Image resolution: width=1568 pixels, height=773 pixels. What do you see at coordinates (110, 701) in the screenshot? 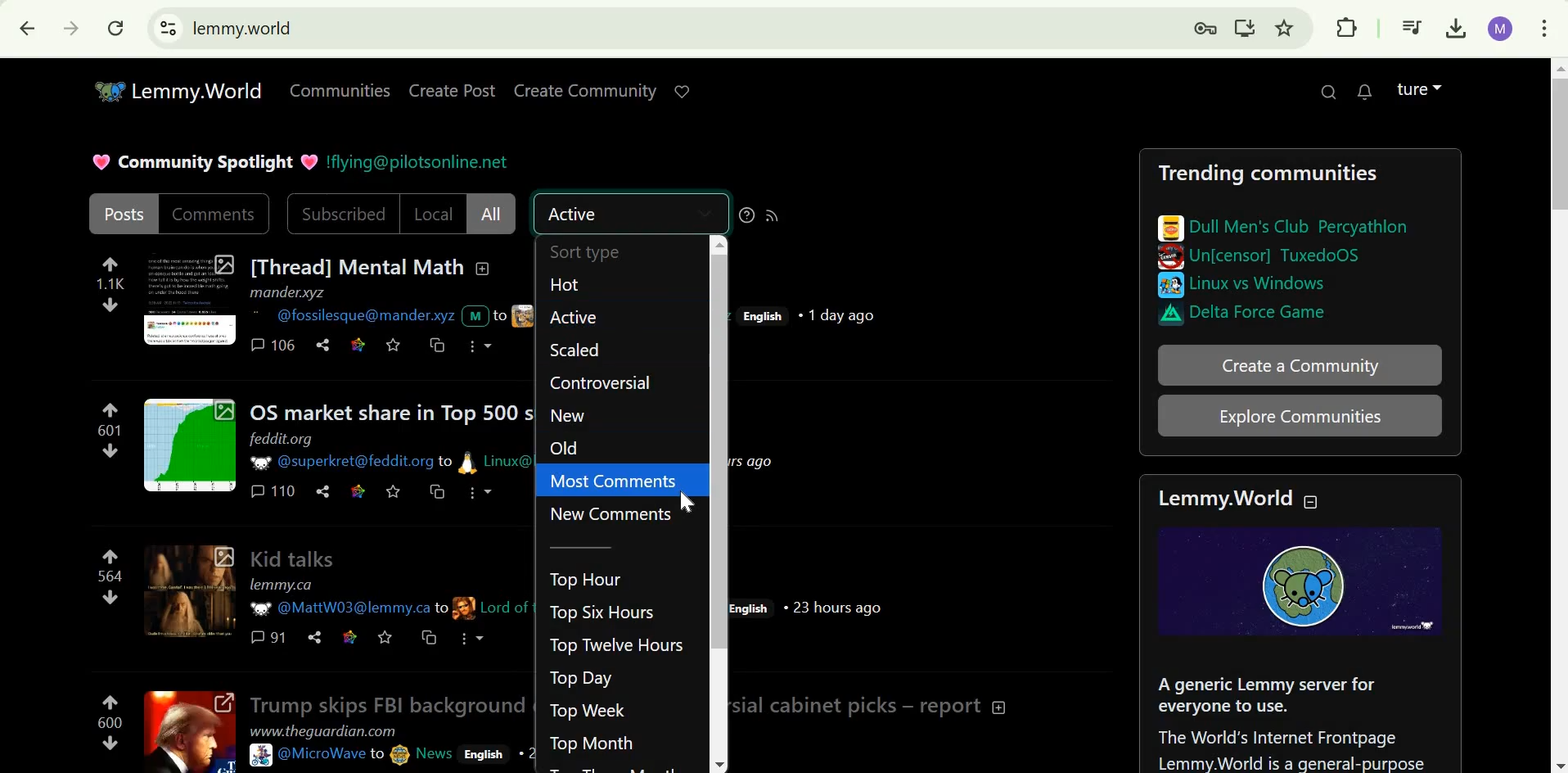
I see `upvote` at bounding box center [110, 701].